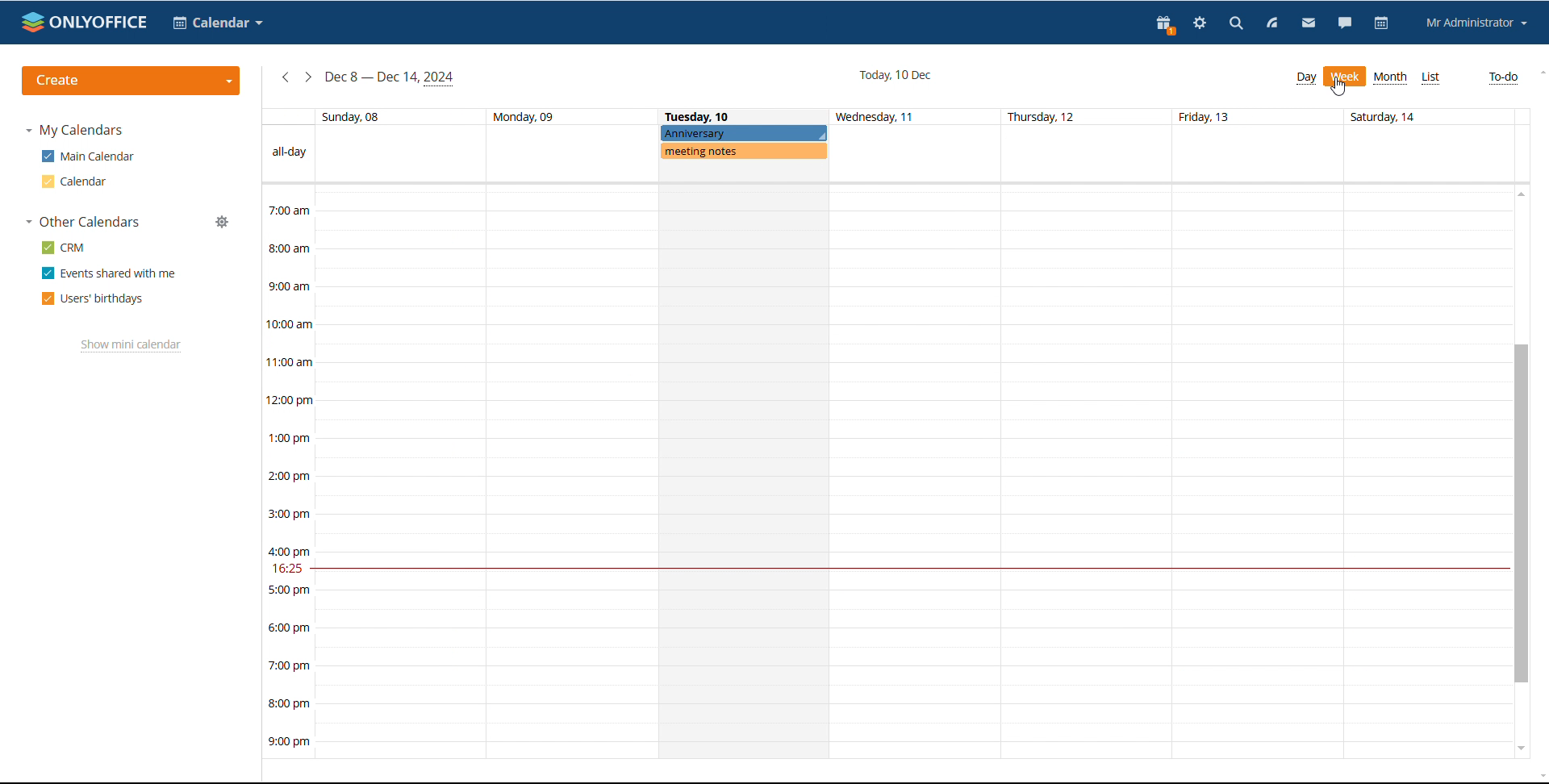 The height and width of the screenshot is (784, 1549). I want to click on all day events, so click(887, 153).